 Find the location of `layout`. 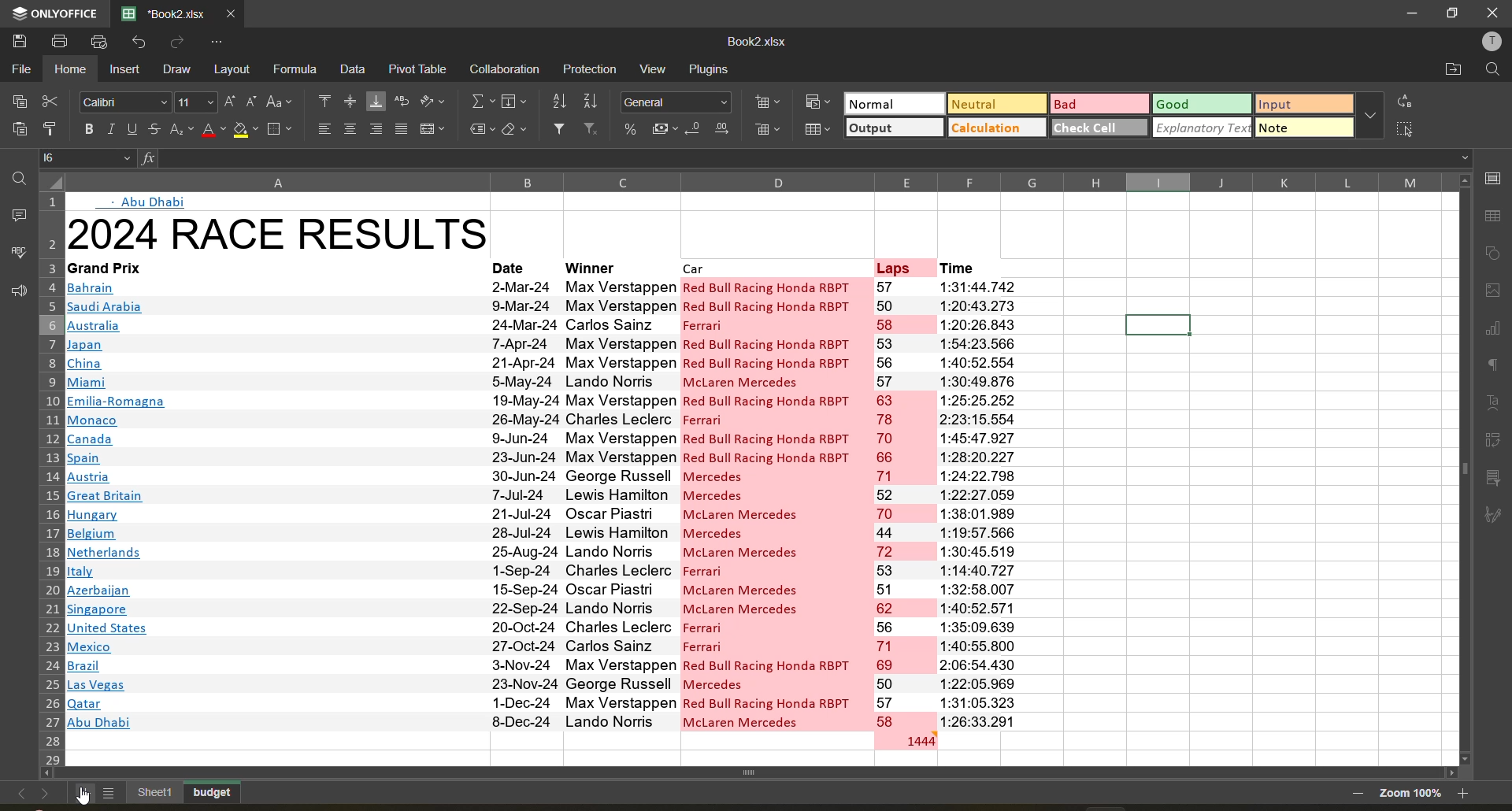

layout is located at coordinates (235, 69).